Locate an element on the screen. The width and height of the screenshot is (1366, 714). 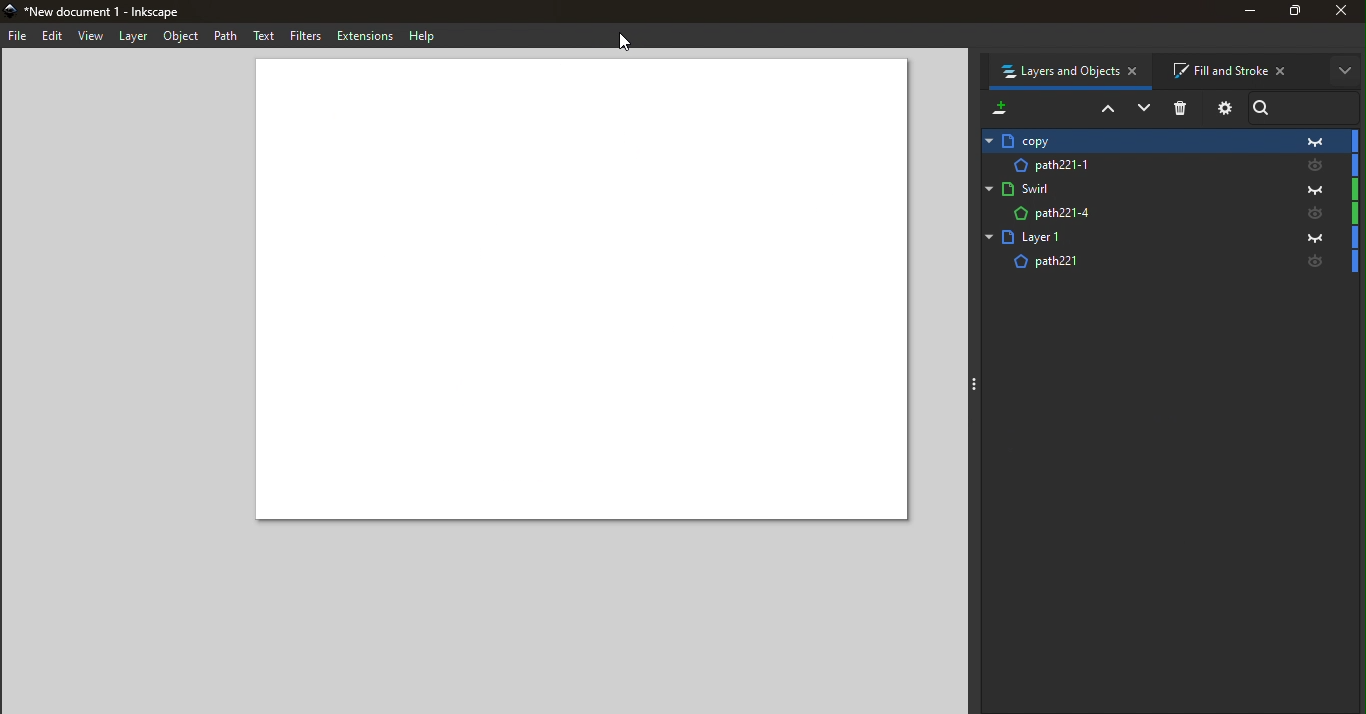
Object is located at coordinates (183, 37).